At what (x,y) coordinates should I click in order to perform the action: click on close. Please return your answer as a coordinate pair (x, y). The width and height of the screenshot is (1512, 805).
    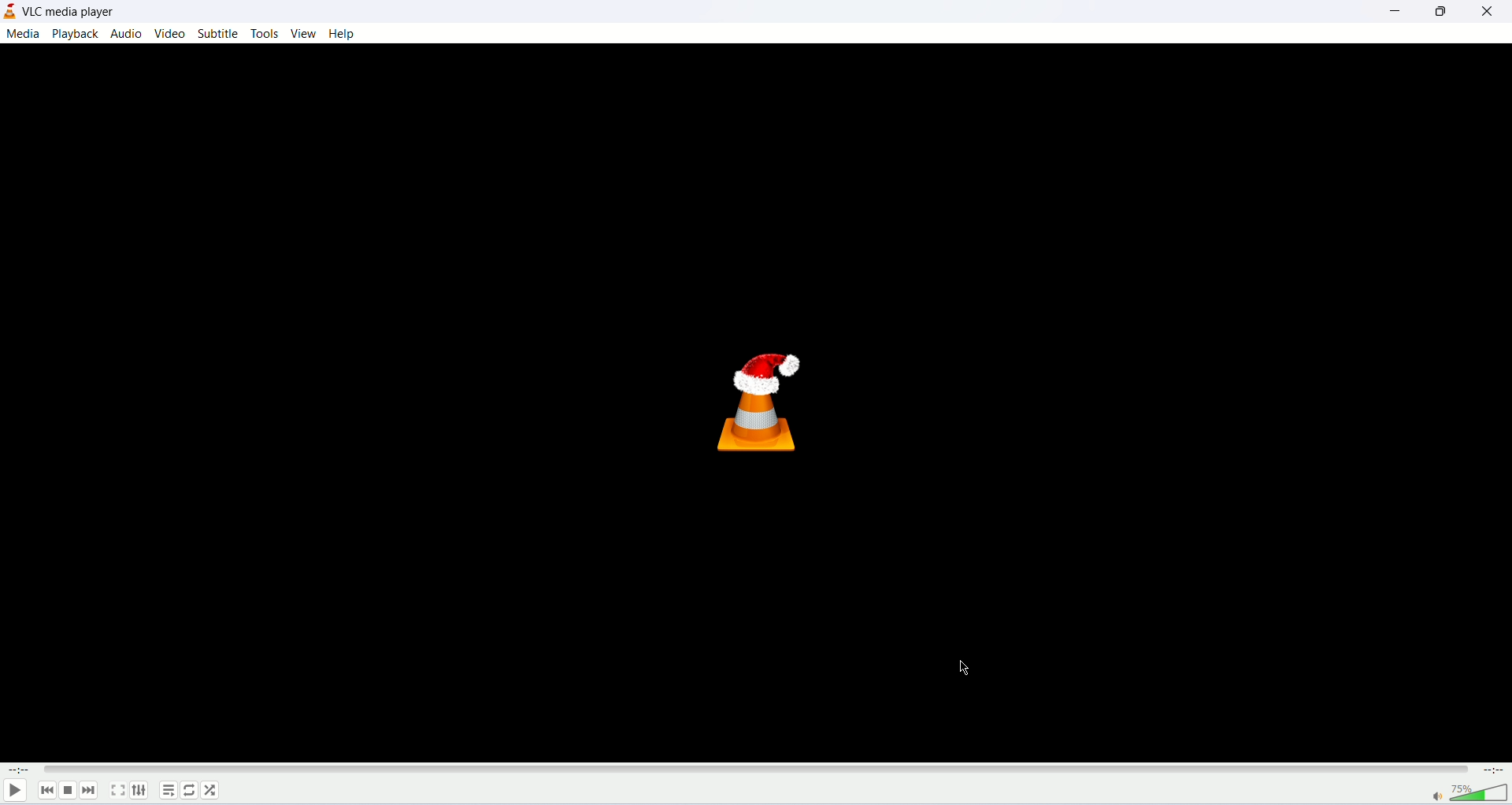
    Looking at the image, I should click on (1488, 12).